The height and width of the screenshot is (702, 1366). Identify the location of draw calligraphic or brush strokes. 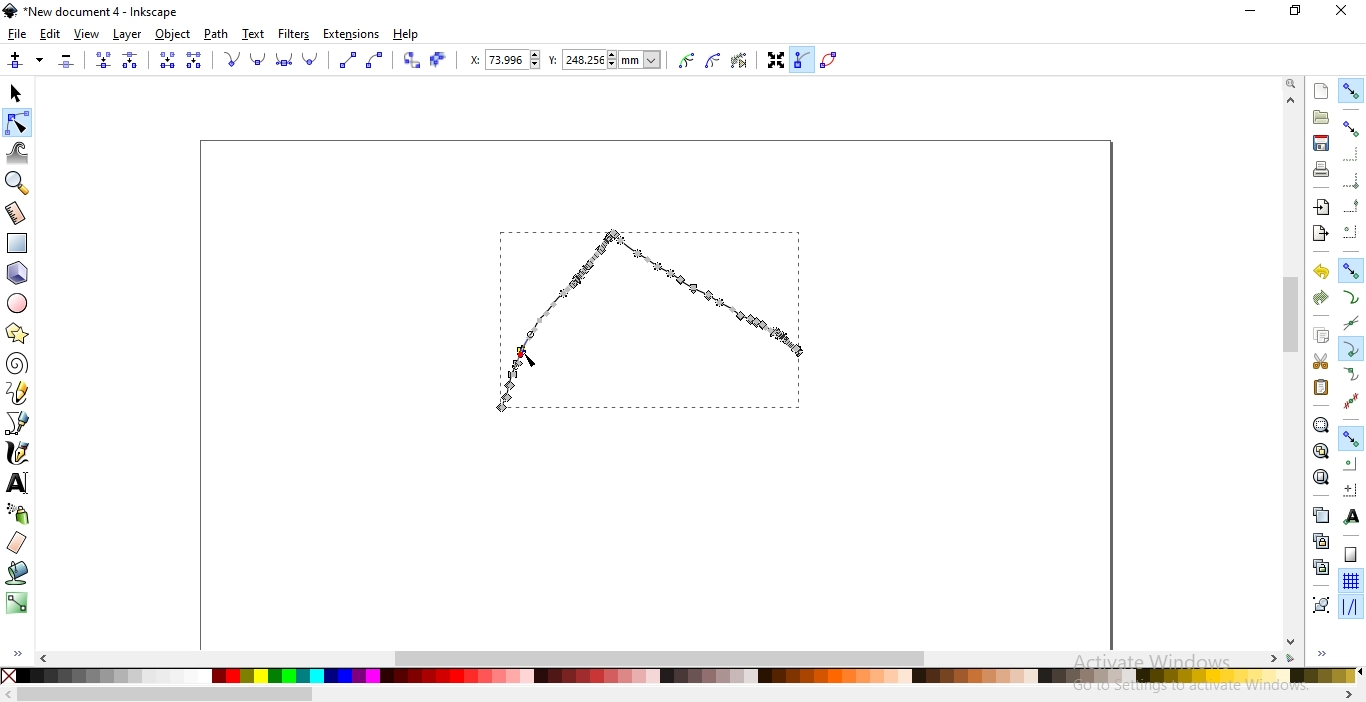
(19, 453).